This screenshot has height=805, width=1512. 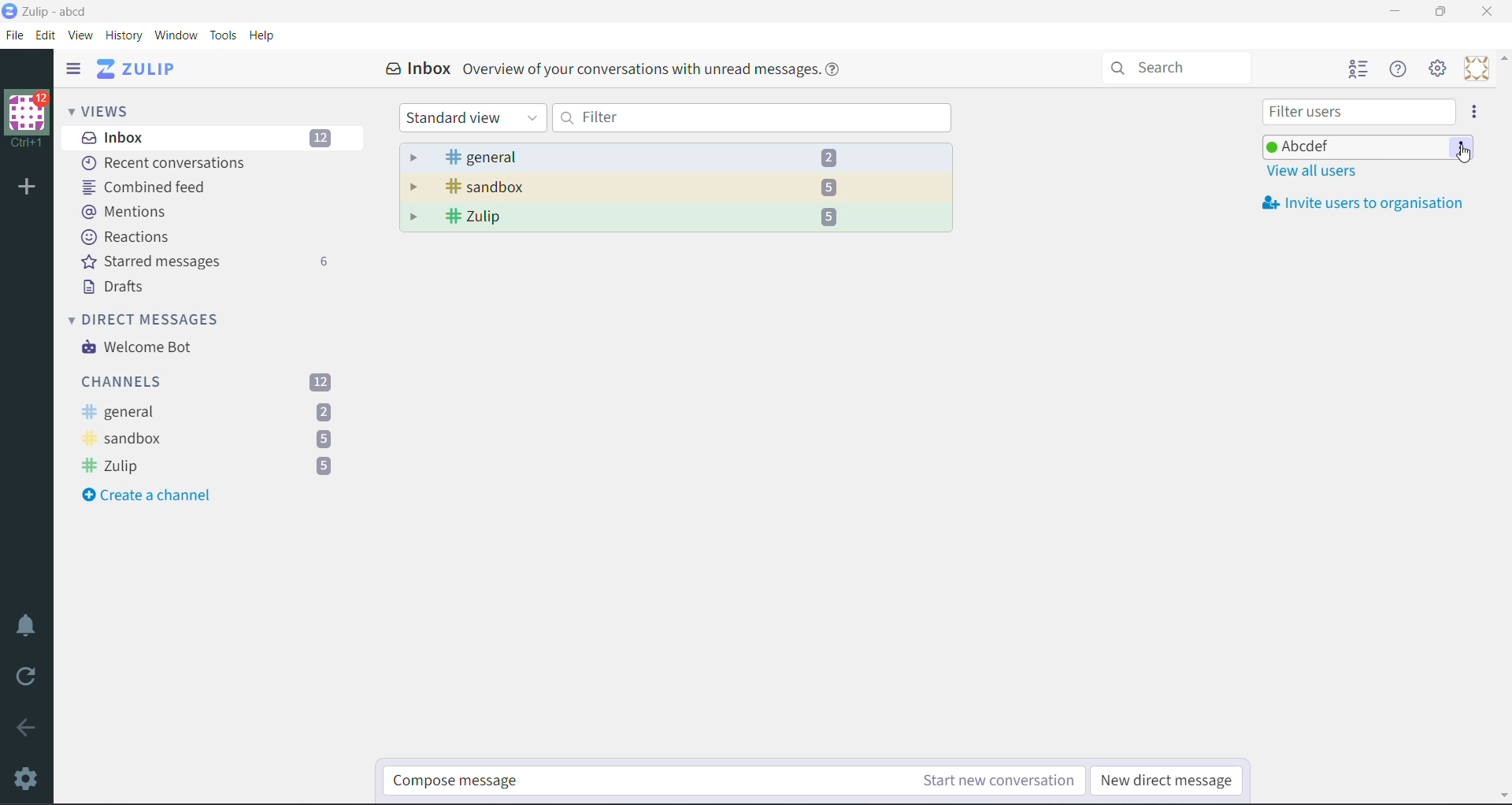 I want to click on Combined feed, so click(x=150, y=187).